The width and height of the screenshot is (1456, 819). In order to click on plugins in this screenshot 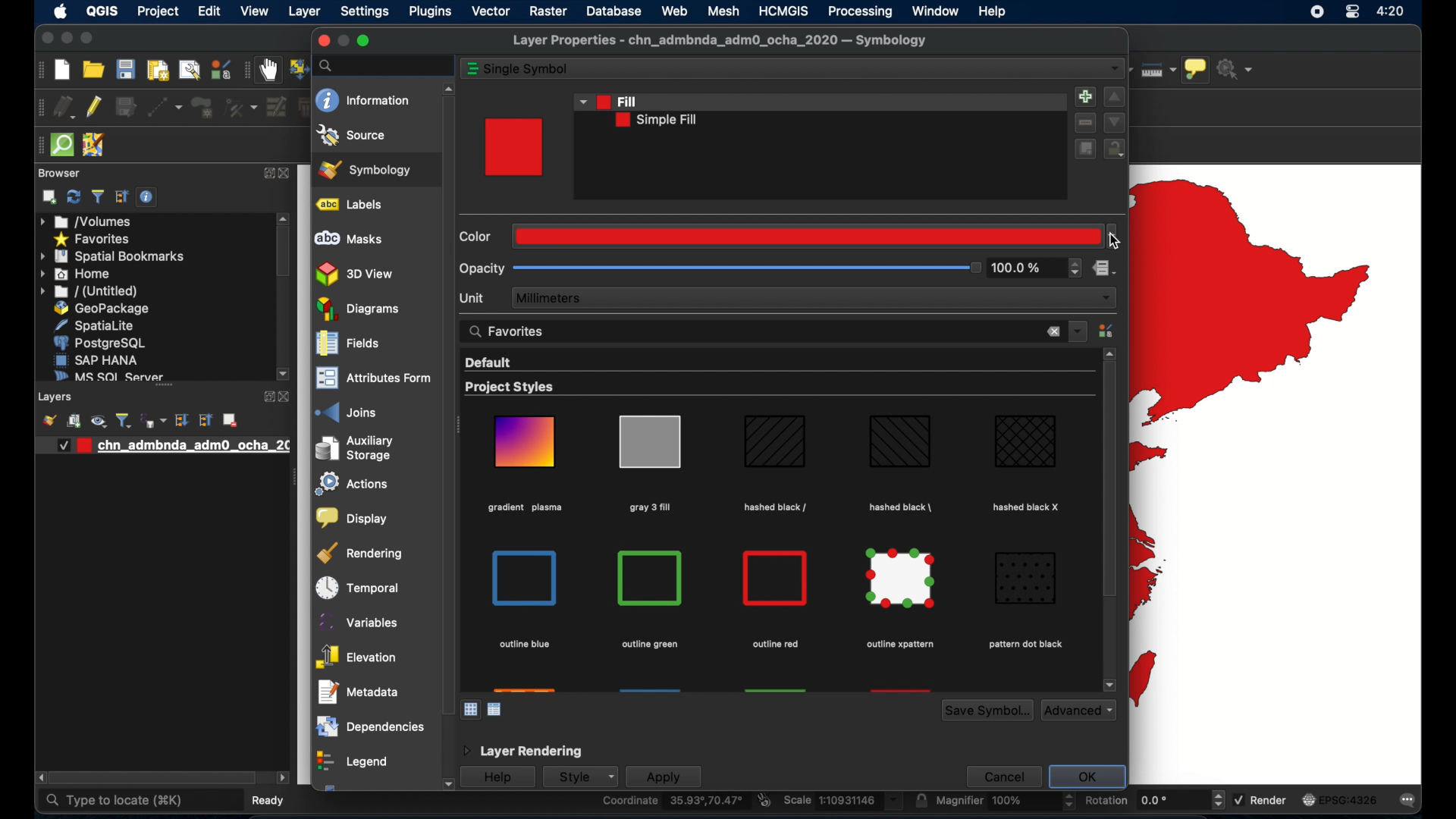, I will do `click(430, 14)`.